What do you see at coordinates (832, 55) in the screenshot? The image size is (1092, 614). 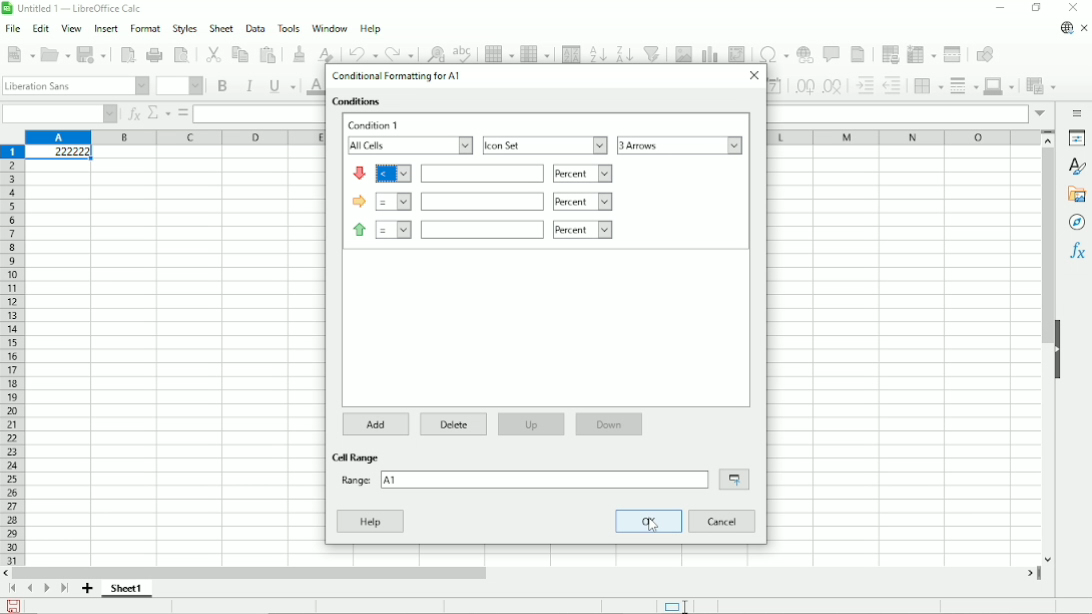 I see `Insert comment` at bounding box center [832, 55].